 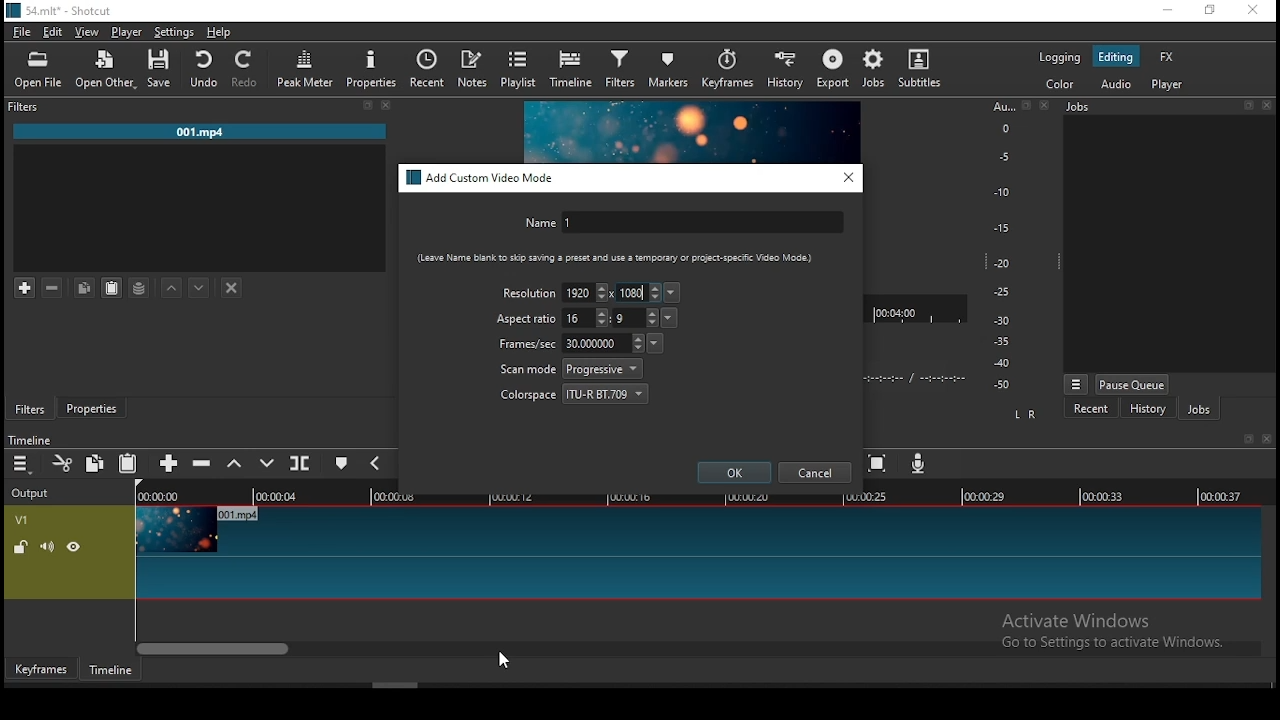 I want to click on 00:00:04, so click(x=279, y=496).